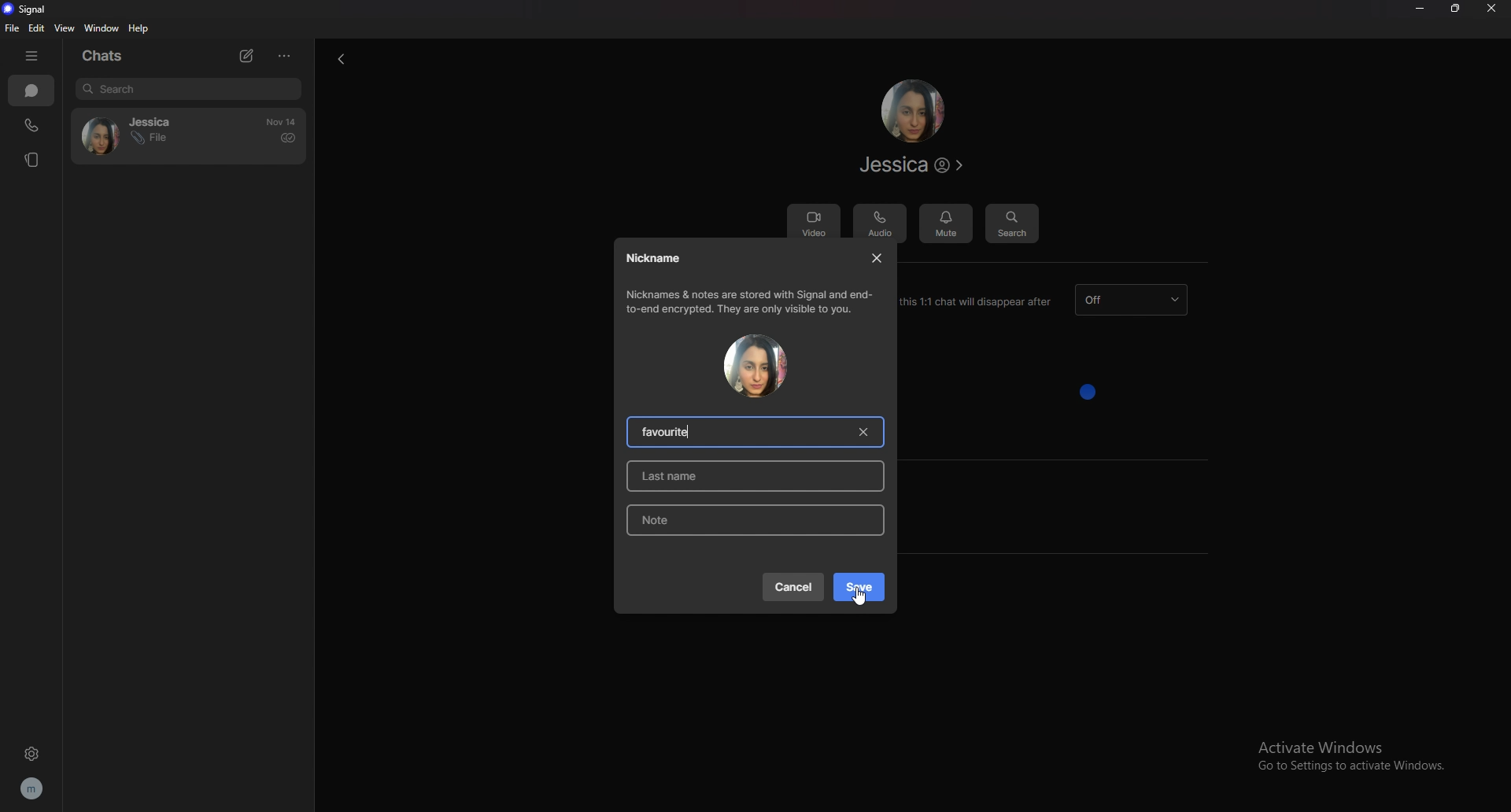 The image size is (1511, 812). I want to click on settings, so click(34, 751).